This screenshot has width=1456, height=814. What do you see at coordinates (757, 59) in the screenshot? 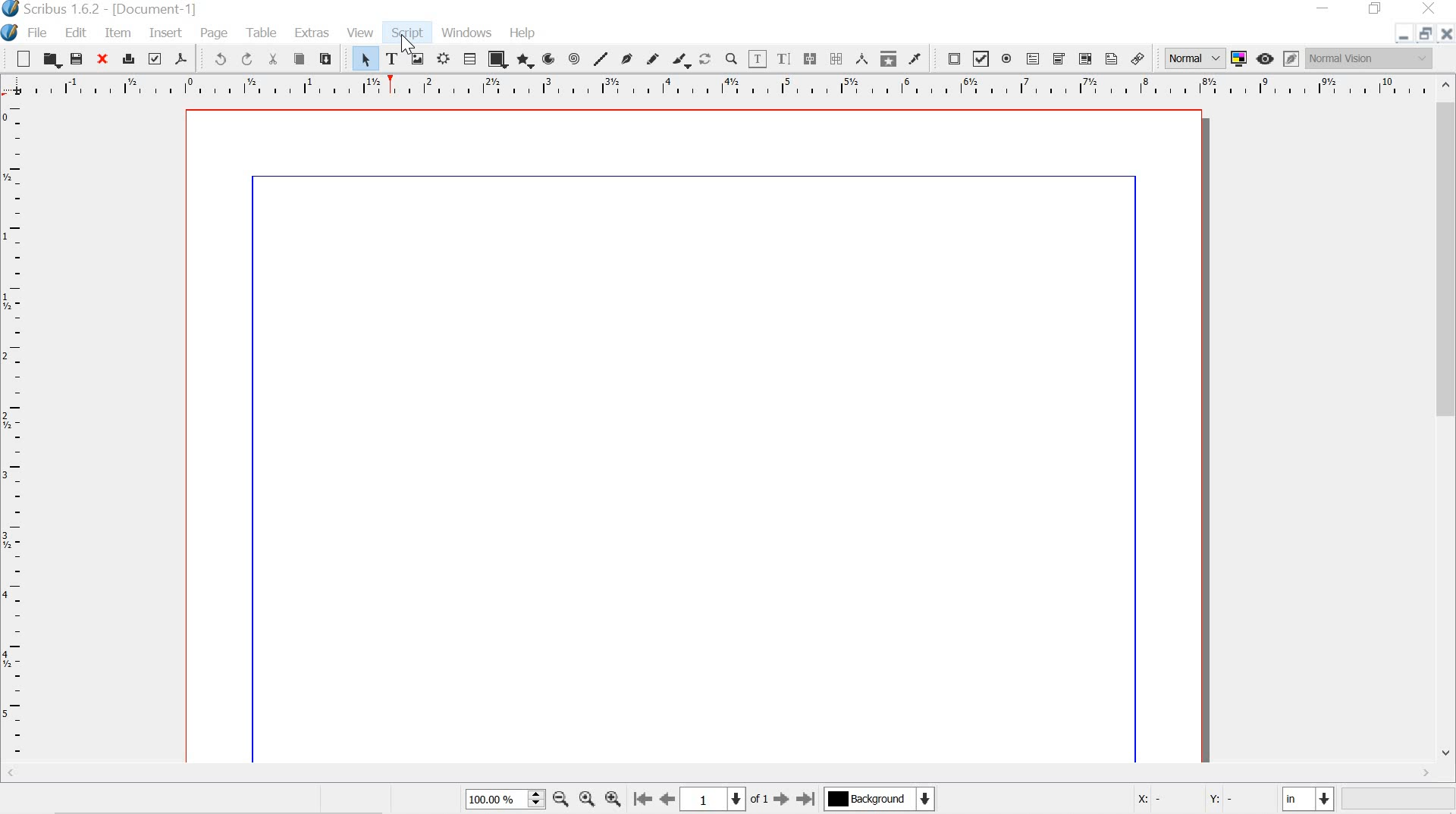
I see `edit contents of frame` at bounding box center [757, 59].